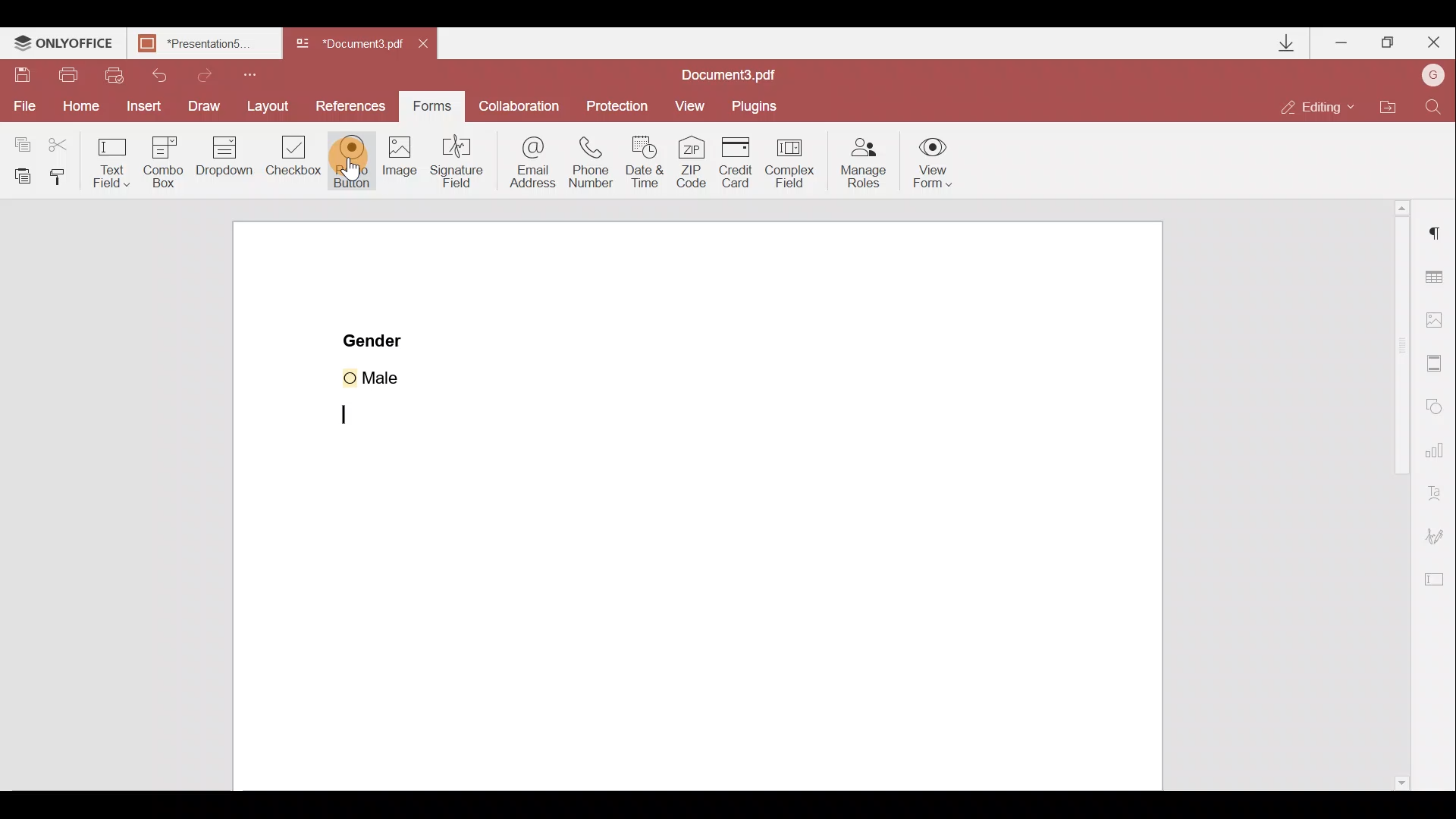 The width and height of the screenshot is (1456, 819). I want to click on Complex field, so click(795, 160).